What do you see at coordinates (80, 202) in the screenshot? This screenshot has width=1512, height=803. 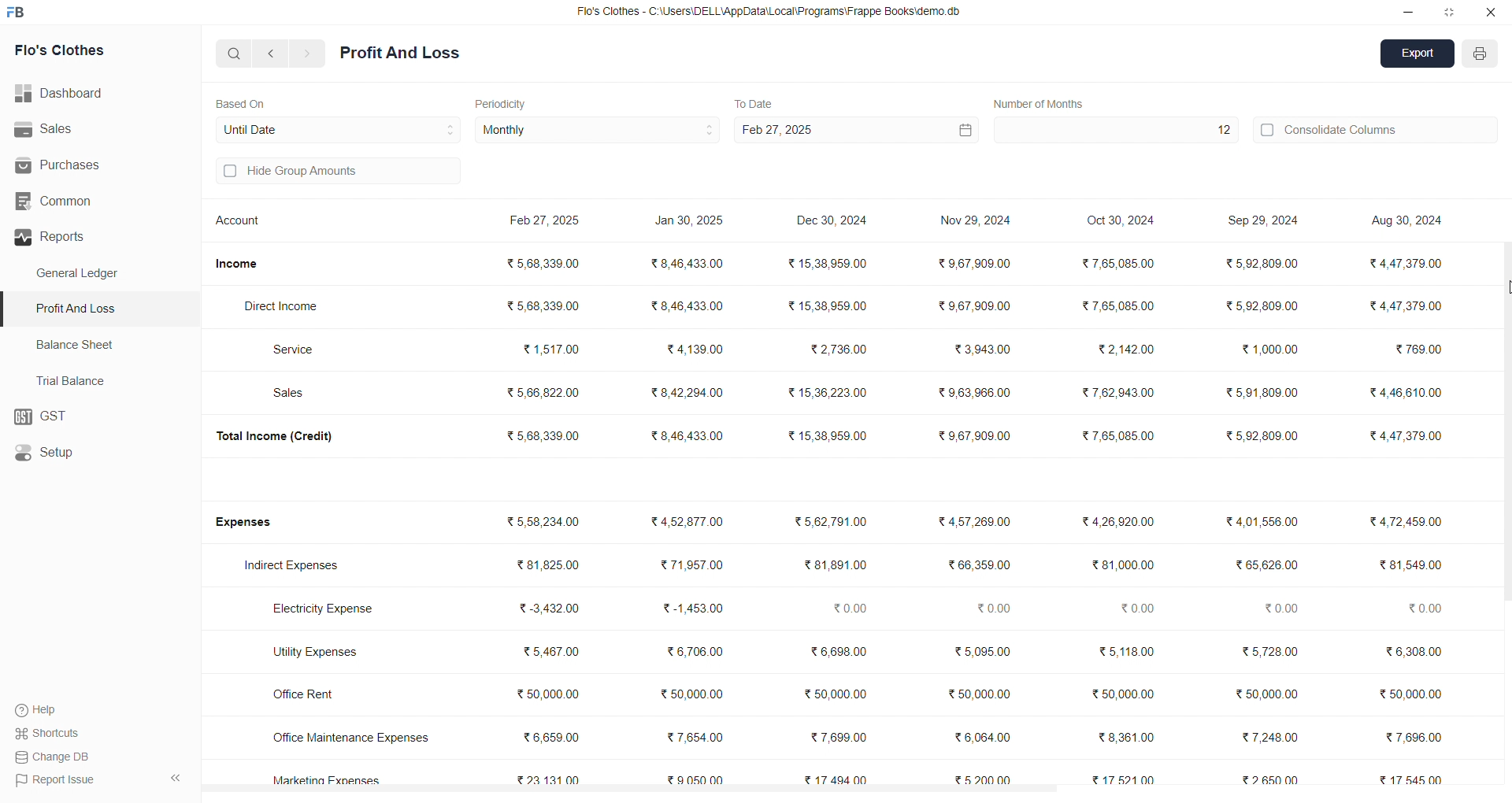 I see `Common` at bounding box center [80, 202].